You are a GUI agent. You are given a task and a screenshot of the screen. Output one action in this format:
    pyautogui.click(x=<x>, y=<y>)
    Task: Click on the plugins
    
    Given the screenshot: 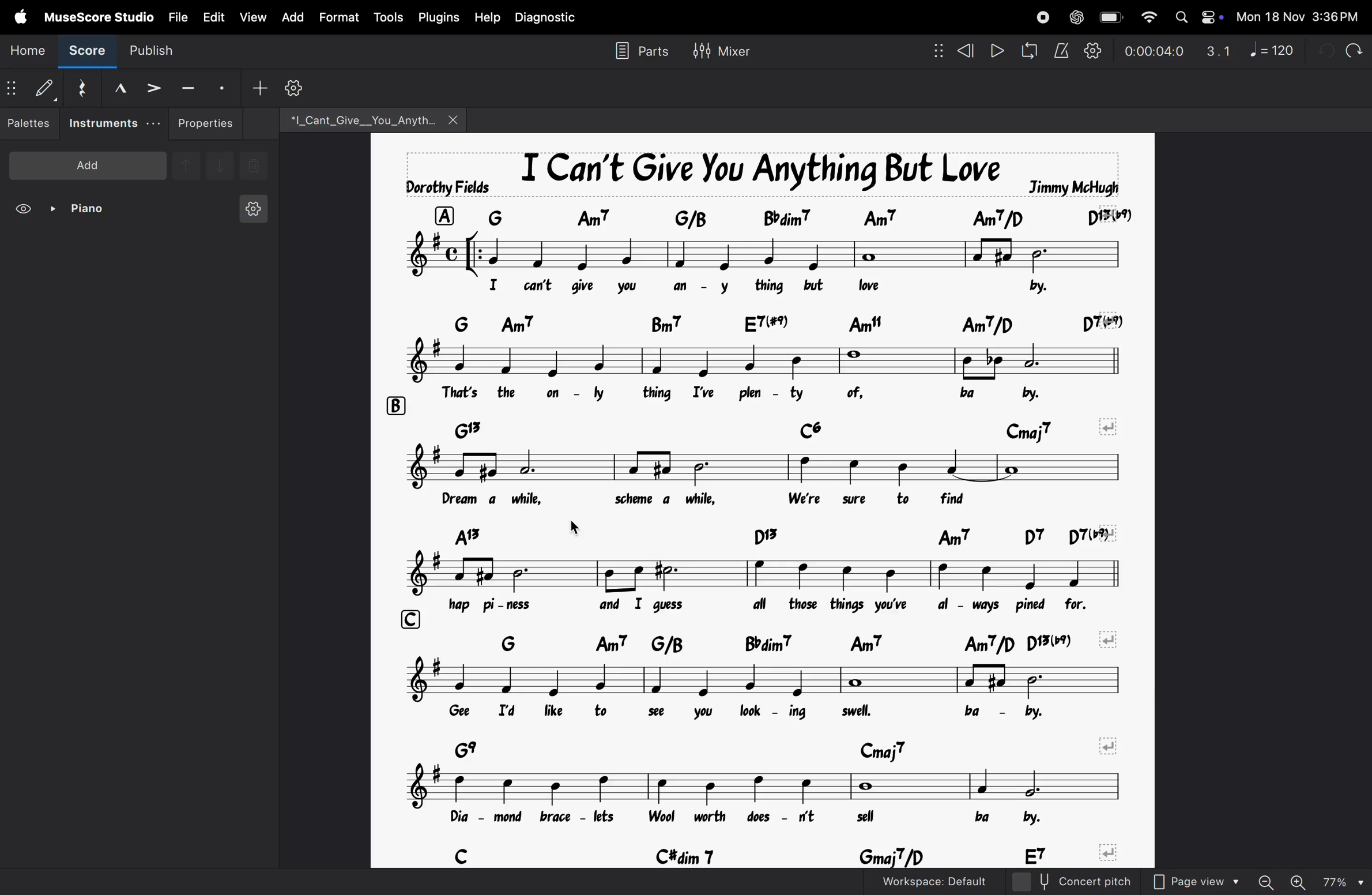 What is the action you would take?
    pyautogui.click(x=437, y=17)
    